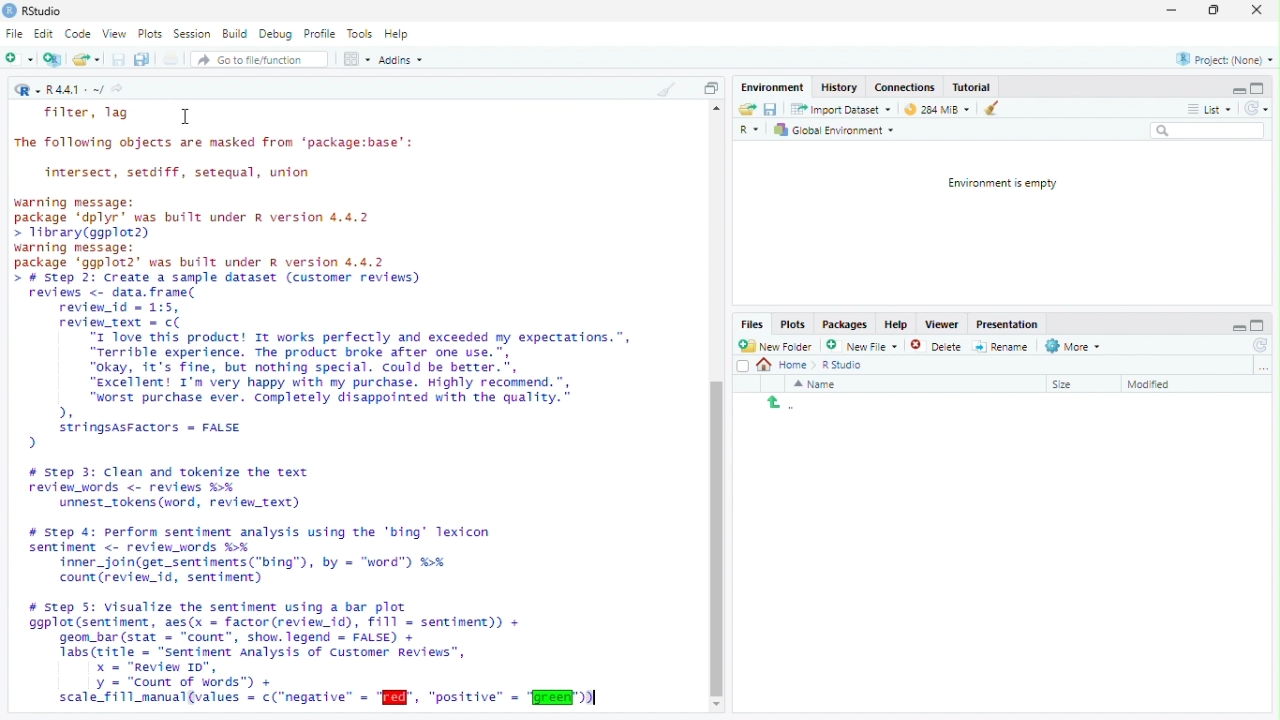 The height and width of the screenshot is (720, 1280). I want to click on Clean, so click(665, 88).